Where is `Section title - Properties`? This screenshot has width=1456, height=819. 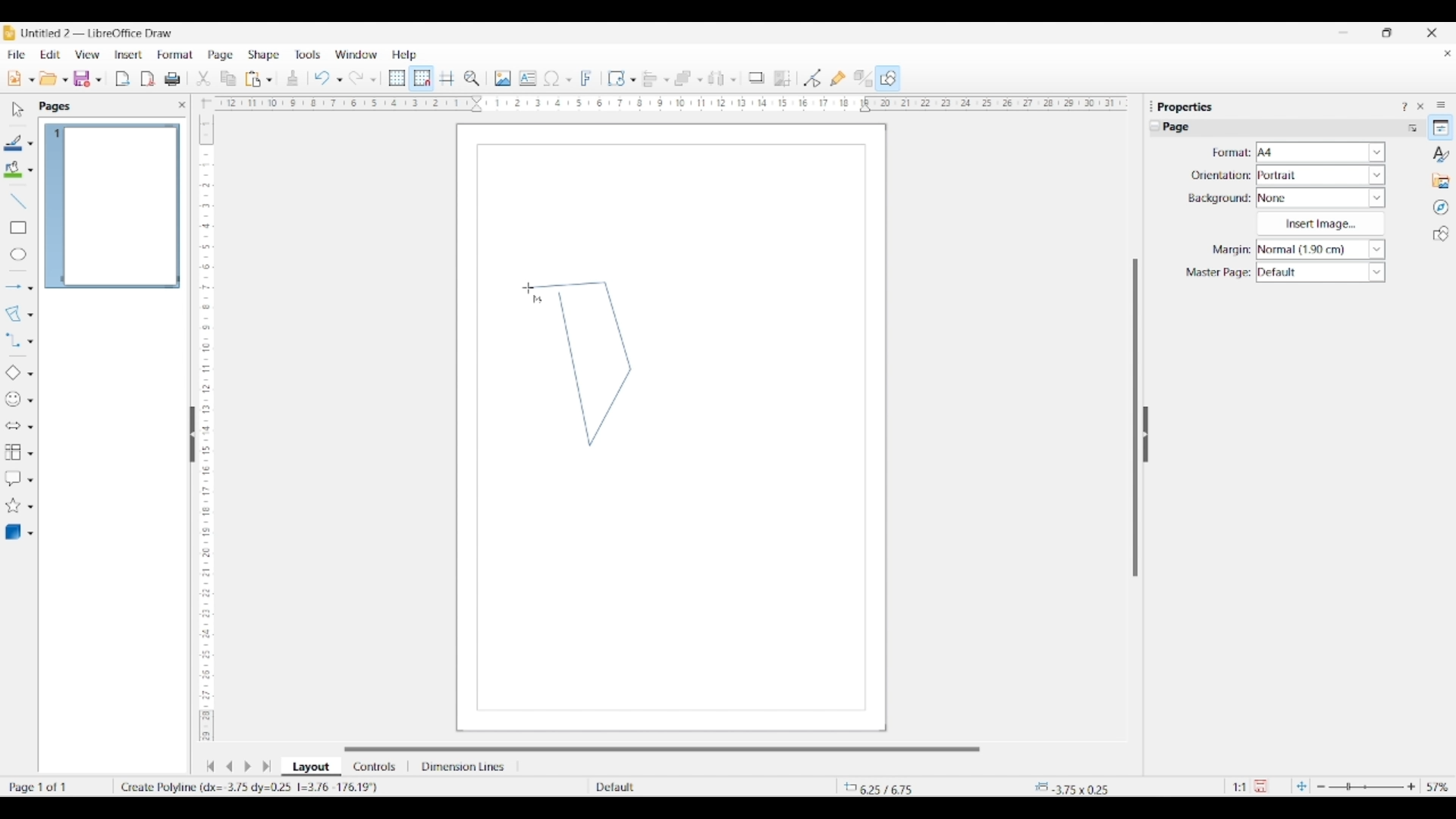
Section title - Properties is located at coordinates (1187, 106).